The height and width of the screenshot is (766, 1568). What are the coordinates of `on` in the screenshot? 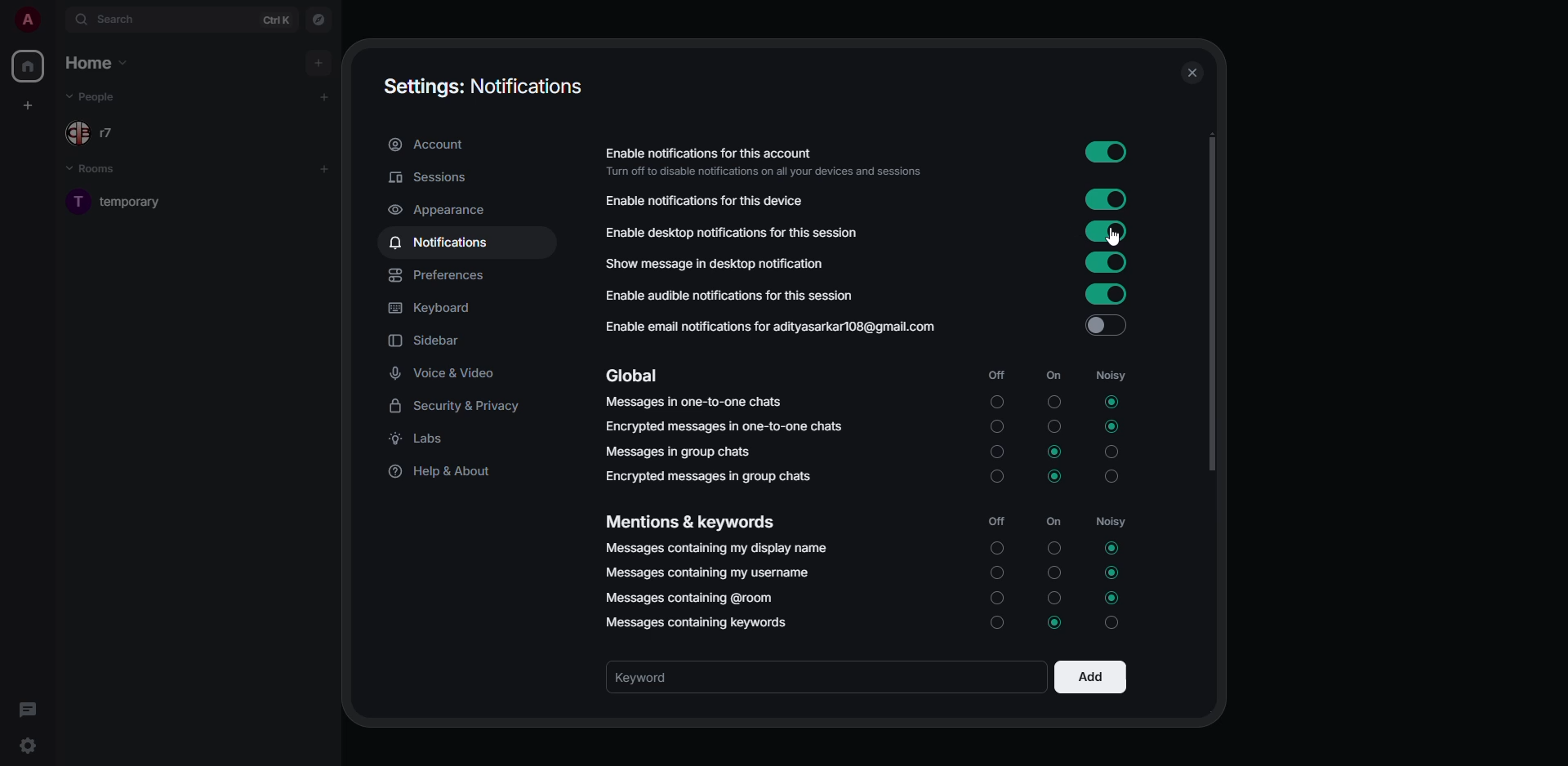 It's located at (1051, 376).